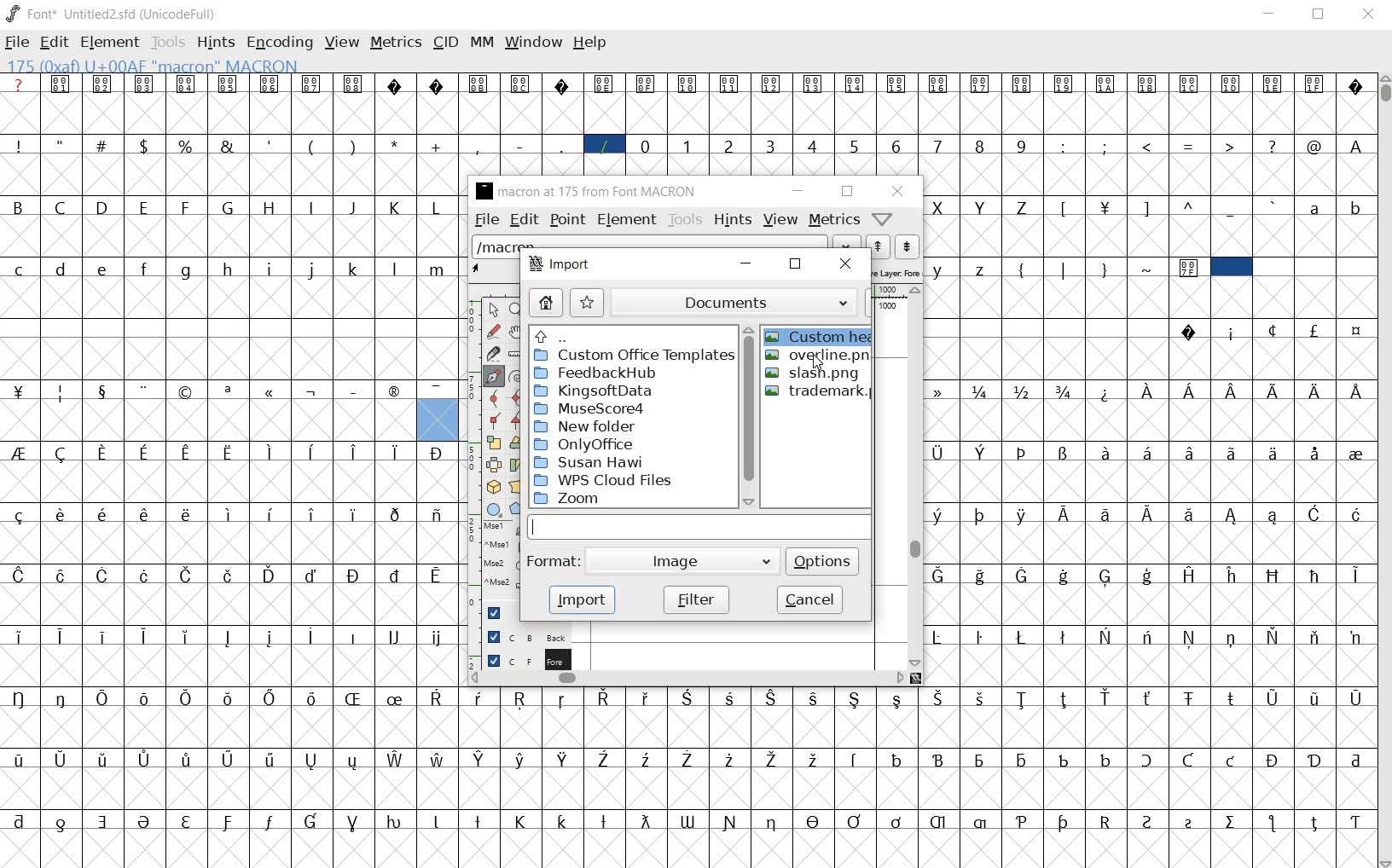 The height and width of the screenshot is (868, 1392). What do you see at coordinates (1315, 574) in the screenshot?
I see `Symbol` at bounding box center [1315, 574].